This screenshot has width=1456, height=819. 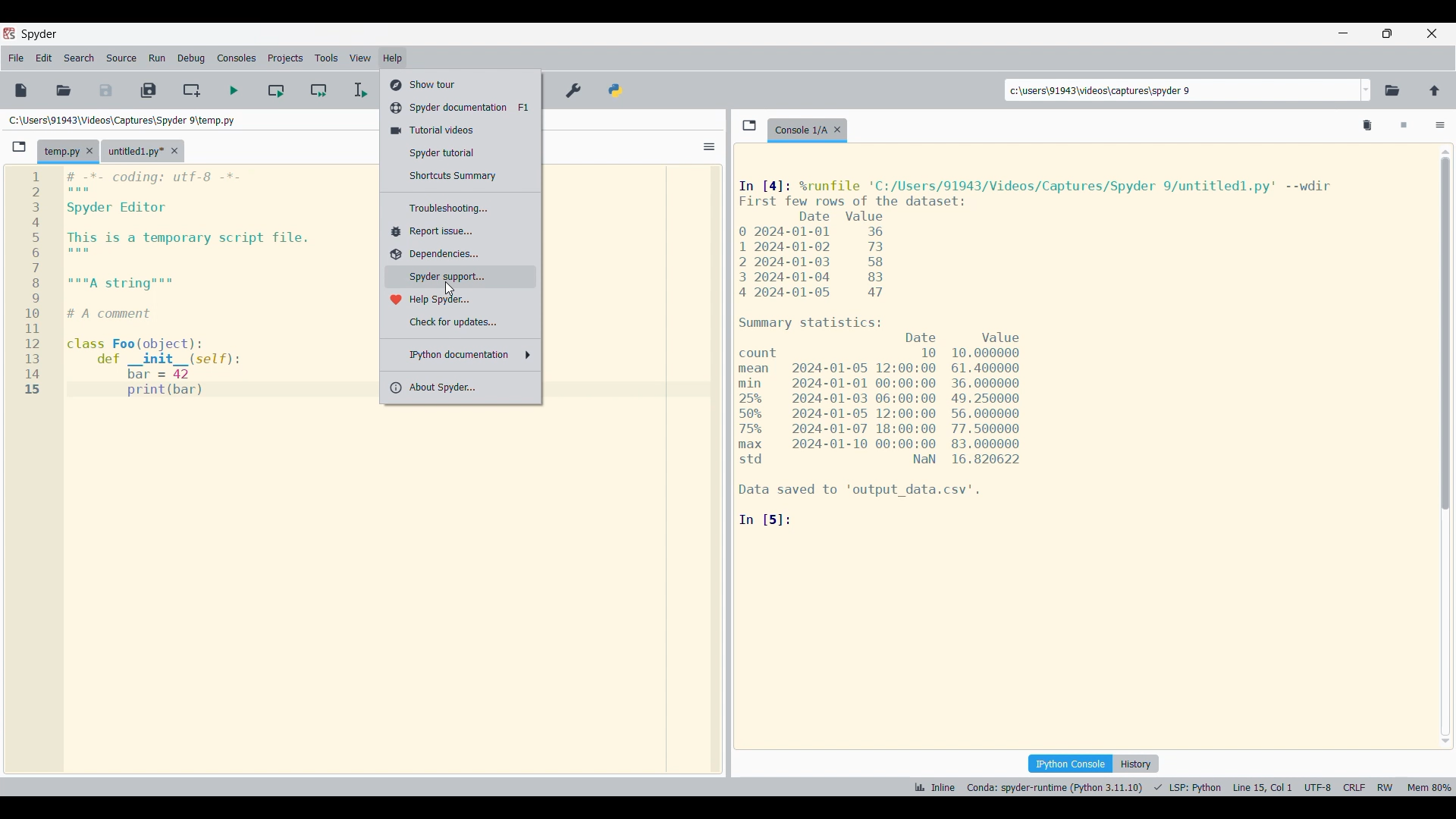 What do you see at coordinates (1071, 763) in the screenshot?
I see `IPython console` at bounding box center [1071, 763].